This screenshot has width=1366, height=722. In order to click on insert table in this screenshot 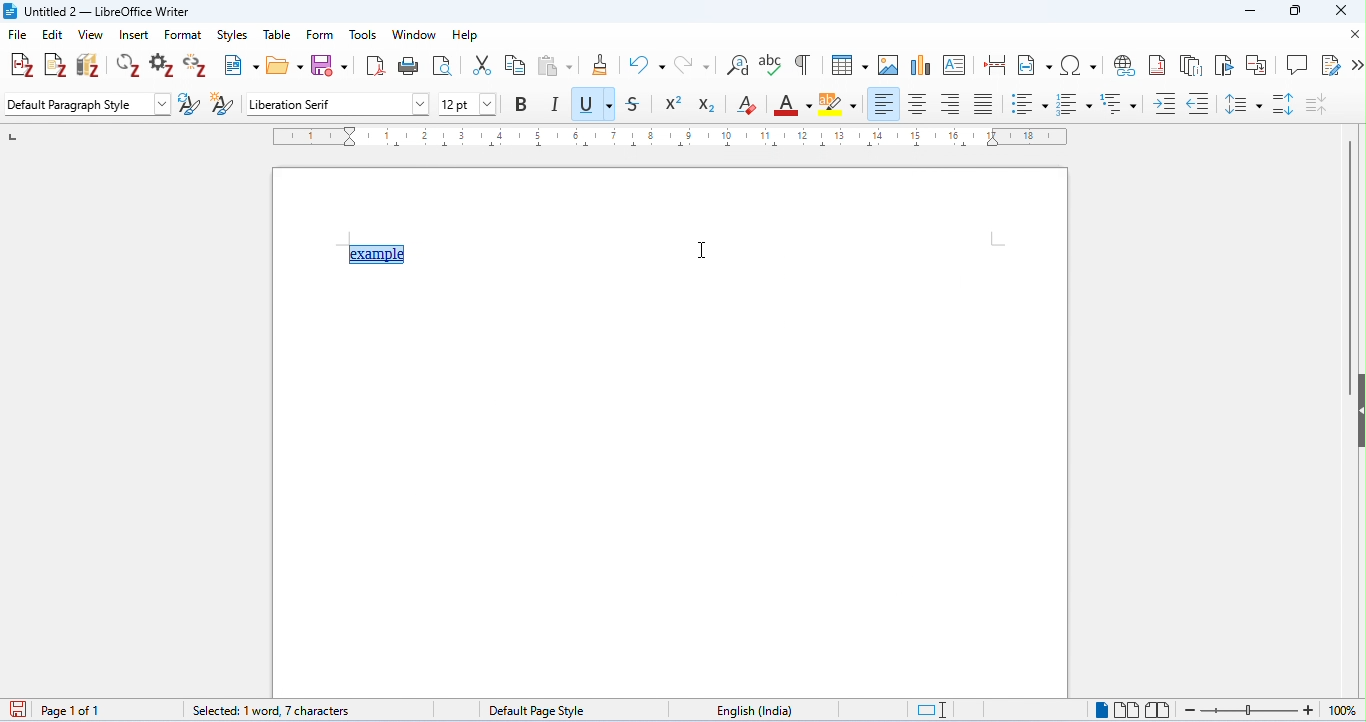, I will do `click(849, 63)`.